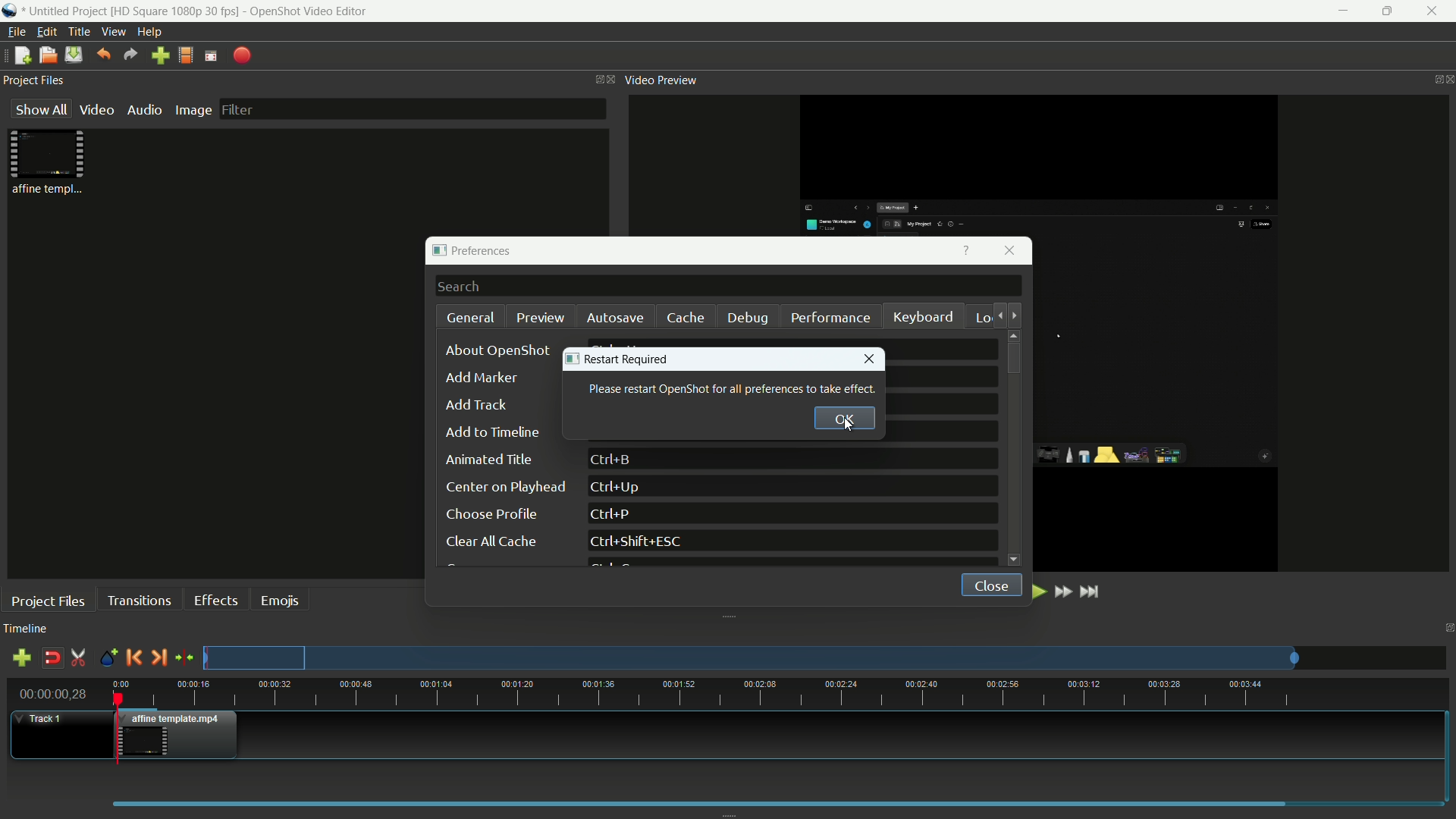  Describe the element at coordinates (211, 55) in the screenshot. I see `full screen` at that location.